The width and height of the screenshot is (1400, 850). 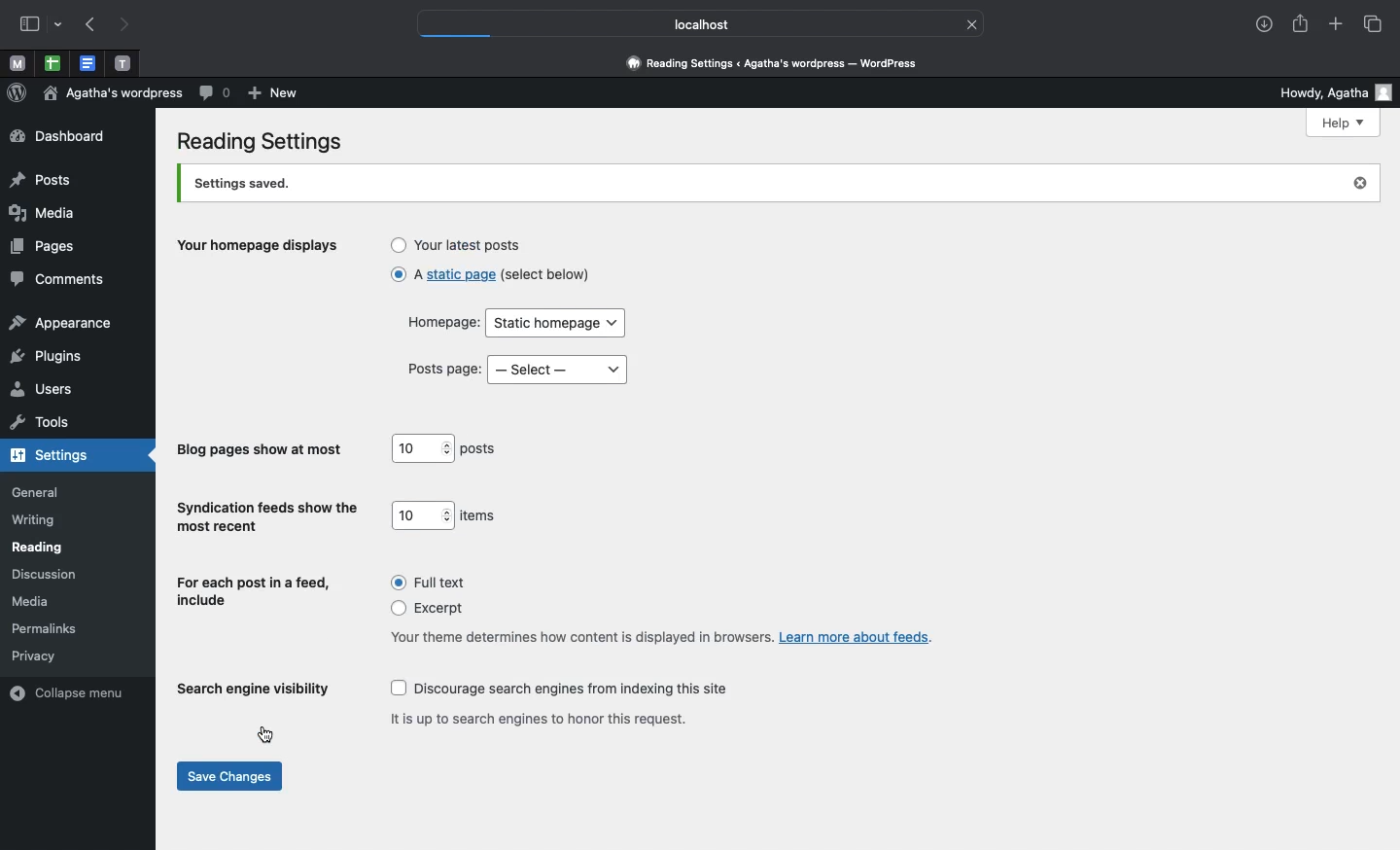 What do you see at coordinates (127, 26) in the screenshot?
I see `Next page` at bounding box center [127, 26].